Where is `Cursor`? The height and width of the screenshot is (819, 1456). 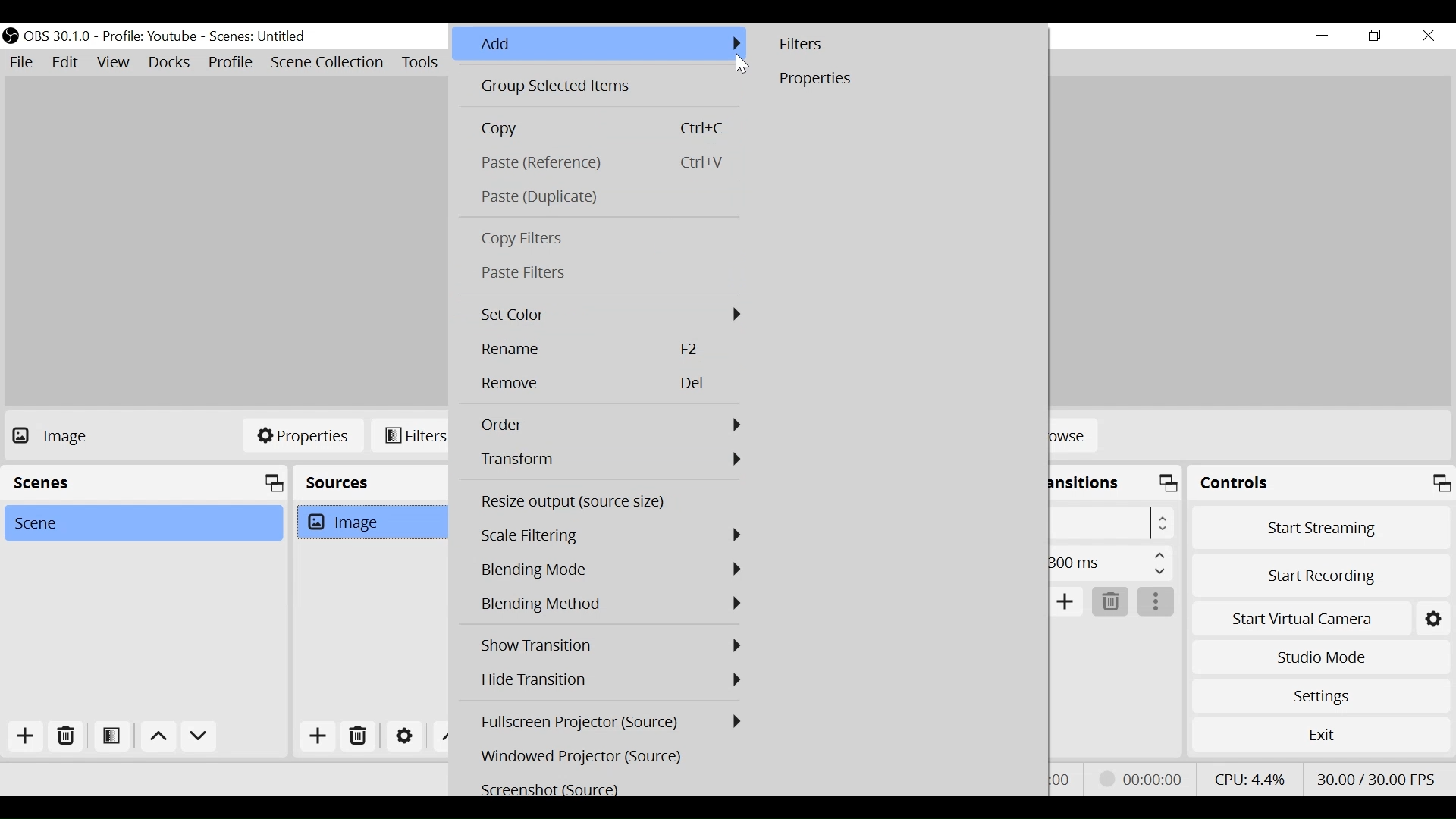
Cursor is located at coordinates (743, 65).